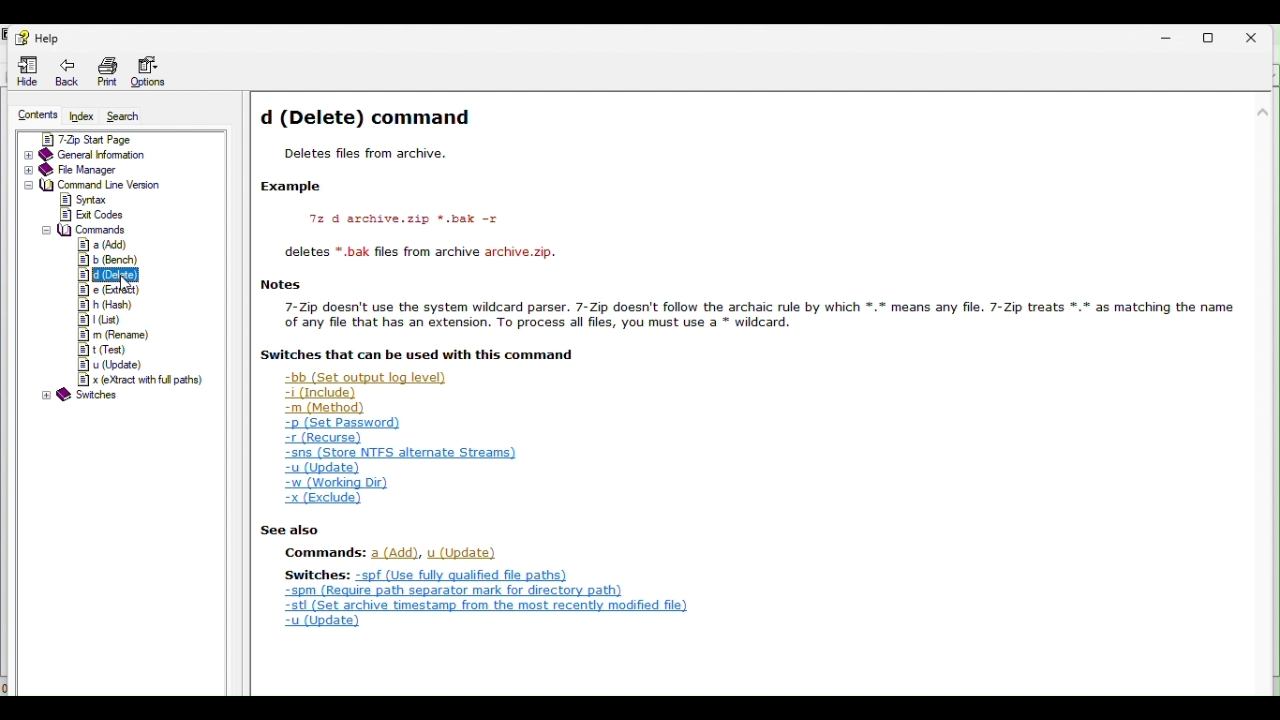 Image resolution: width=1280 pixels, height=720 pixels. What do you see at coordinates (1261, 264) in the screenshot?
I see `scroll bar` at bounding box center [1261, 264].